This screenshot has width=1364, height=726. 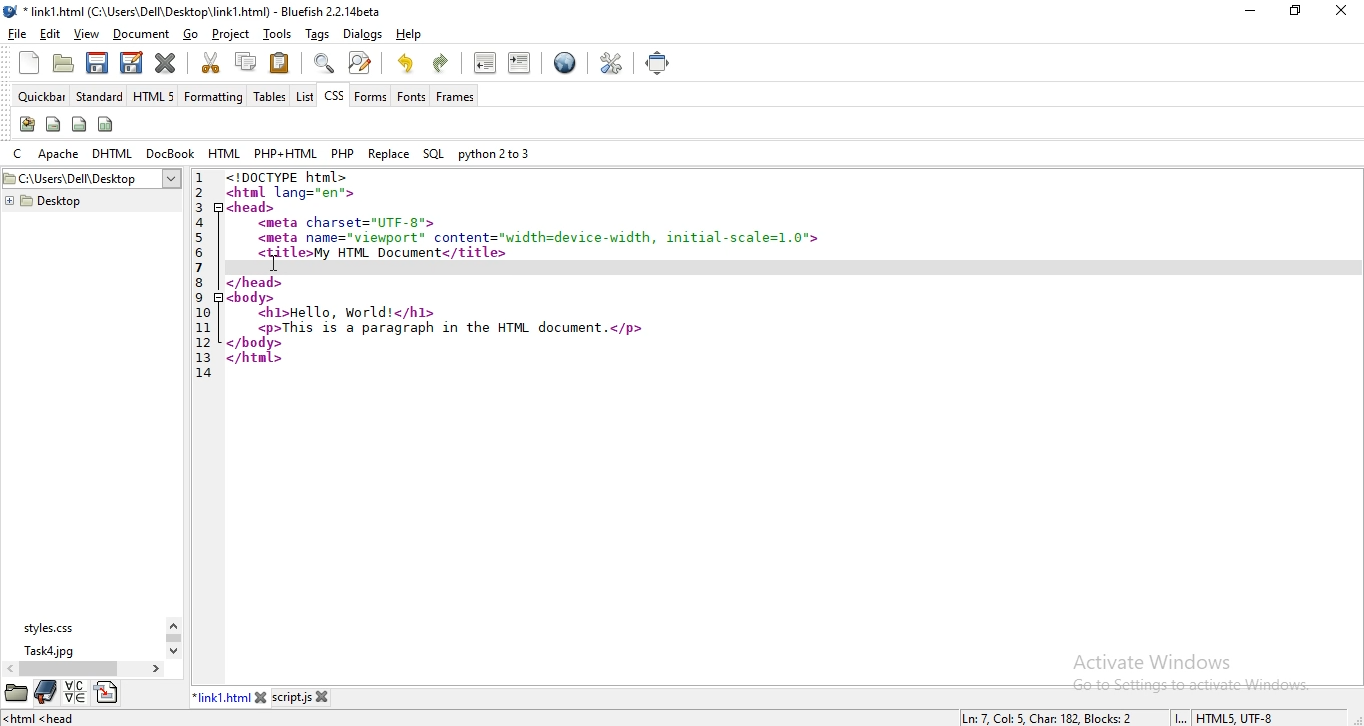 I want to click on 14, so click(x=204, y=374).